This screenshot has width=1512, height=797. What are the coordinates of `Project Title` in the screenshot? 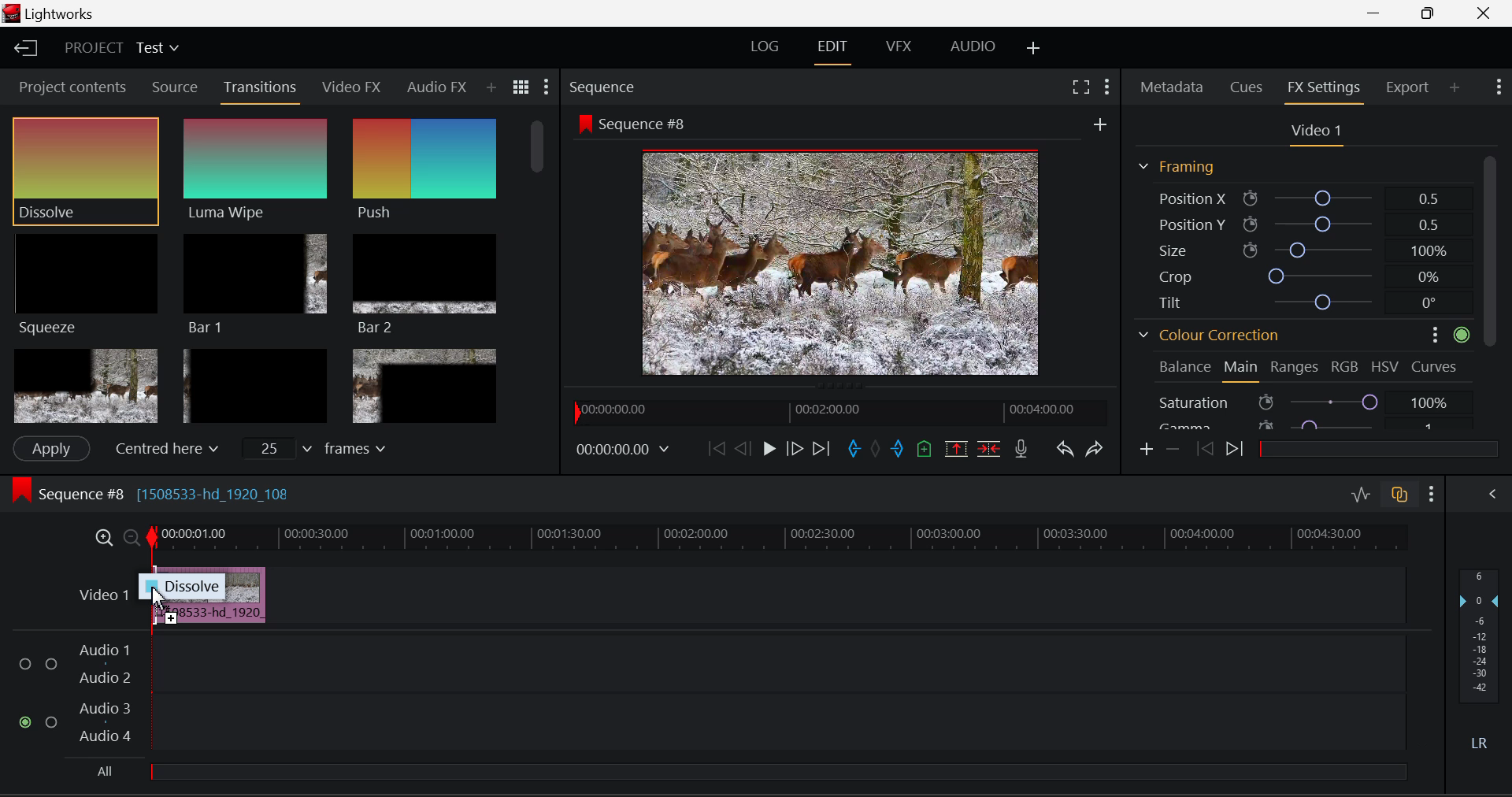 It's located at (120, 48).